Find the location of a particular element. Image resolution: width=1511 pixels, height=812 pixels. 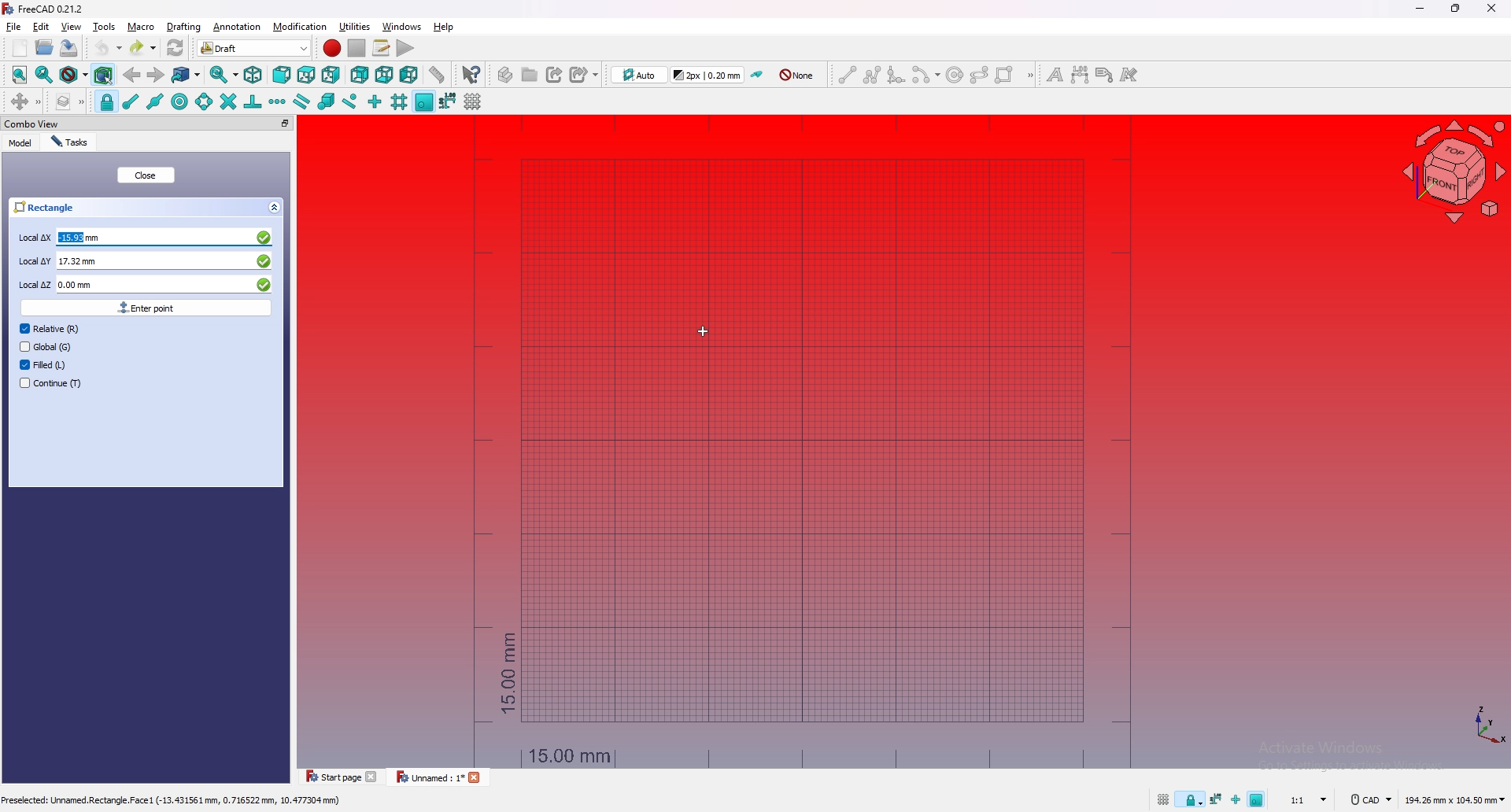

annotation style is located at coordinates (1130, 75).